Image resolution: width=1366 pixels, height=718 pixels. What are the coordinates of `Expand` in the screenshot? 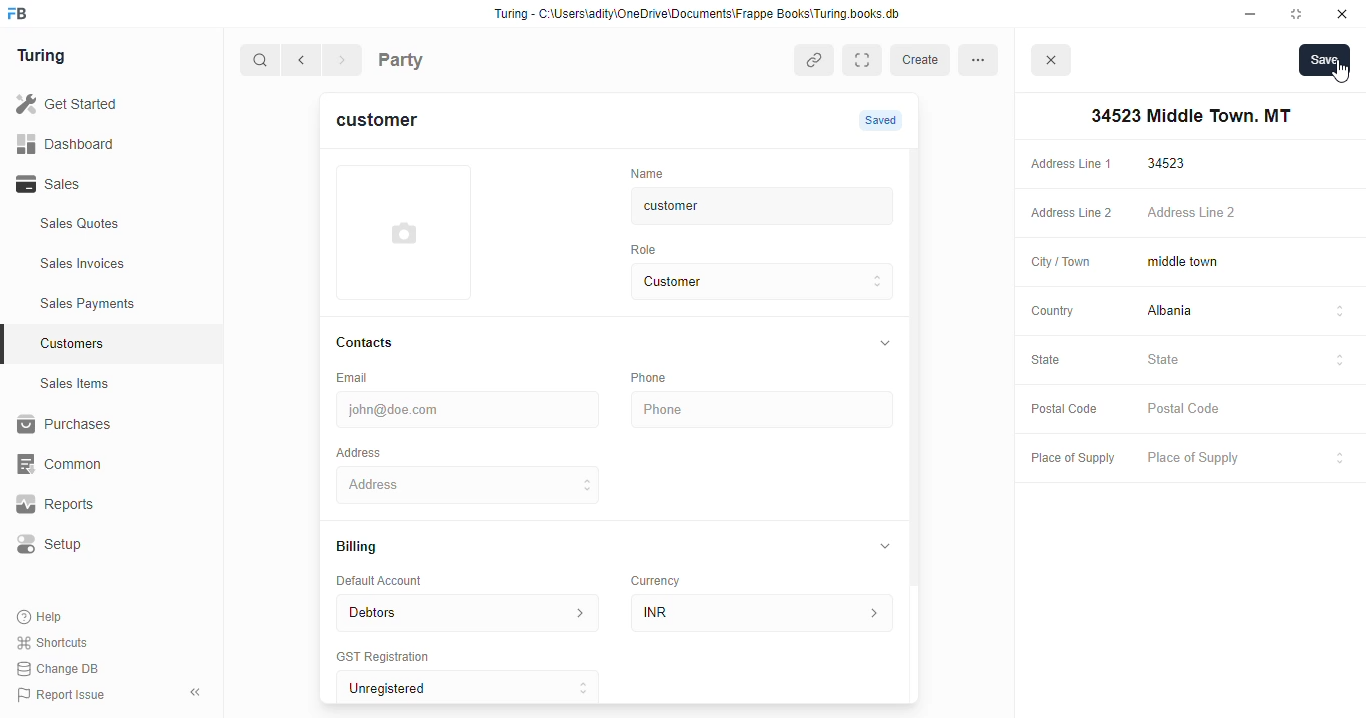 It's located at (866, 60).